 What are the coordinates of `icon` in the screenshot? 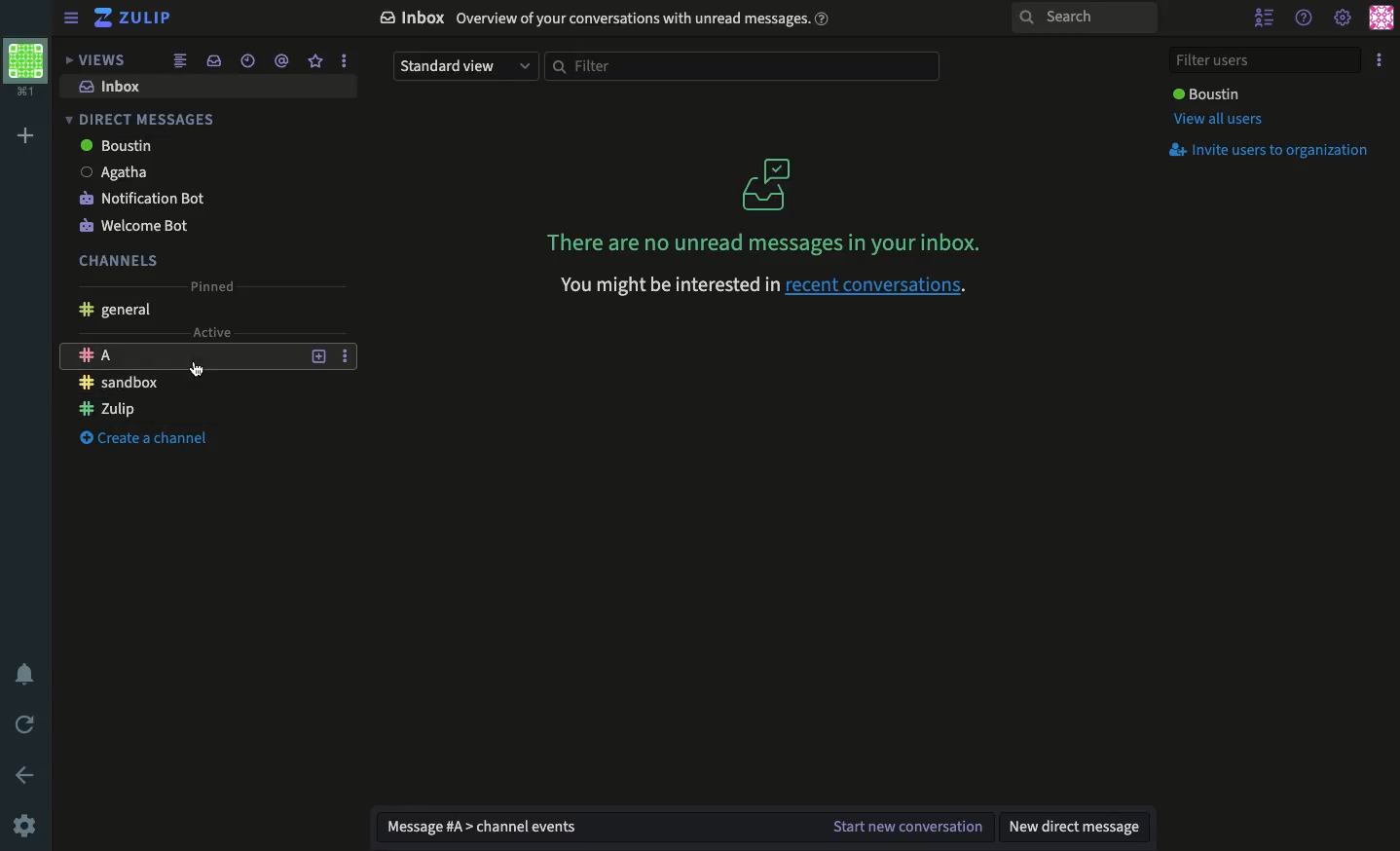 It's located at (765, 185).